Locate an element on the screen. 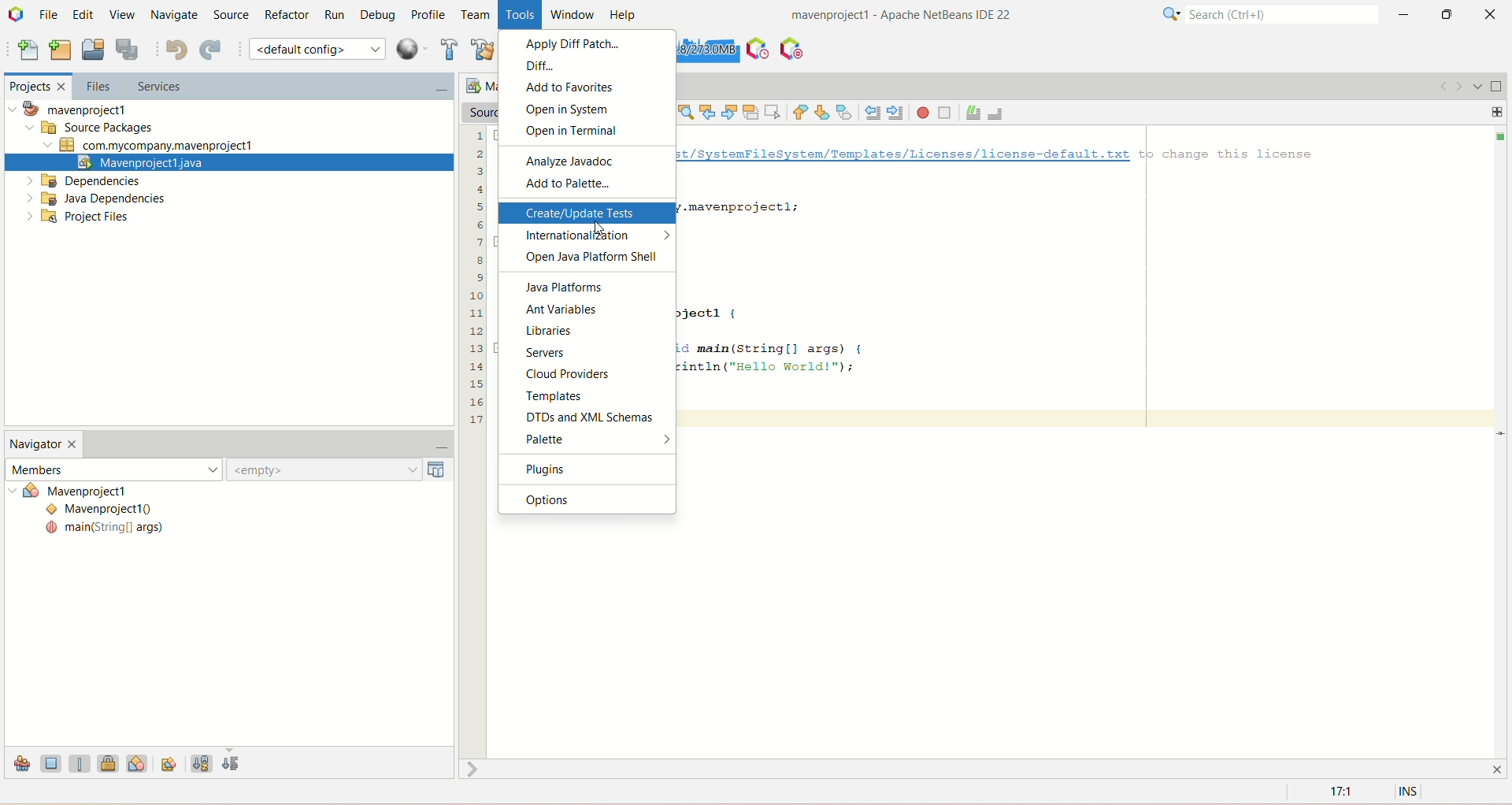  edit is located at coordinates (82, 14).